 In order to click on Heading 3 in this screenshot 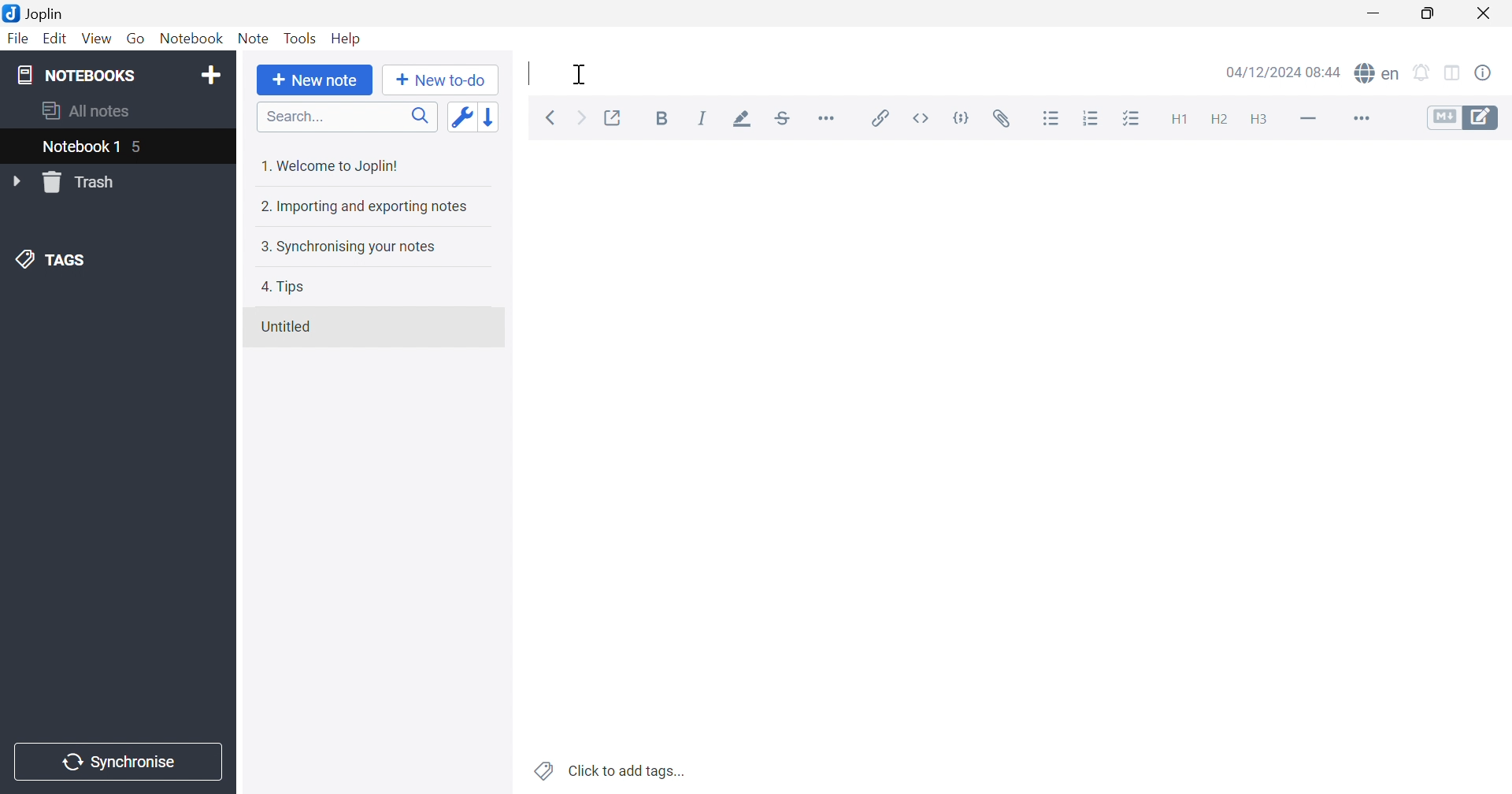, I will do `click(1259, 117)`.